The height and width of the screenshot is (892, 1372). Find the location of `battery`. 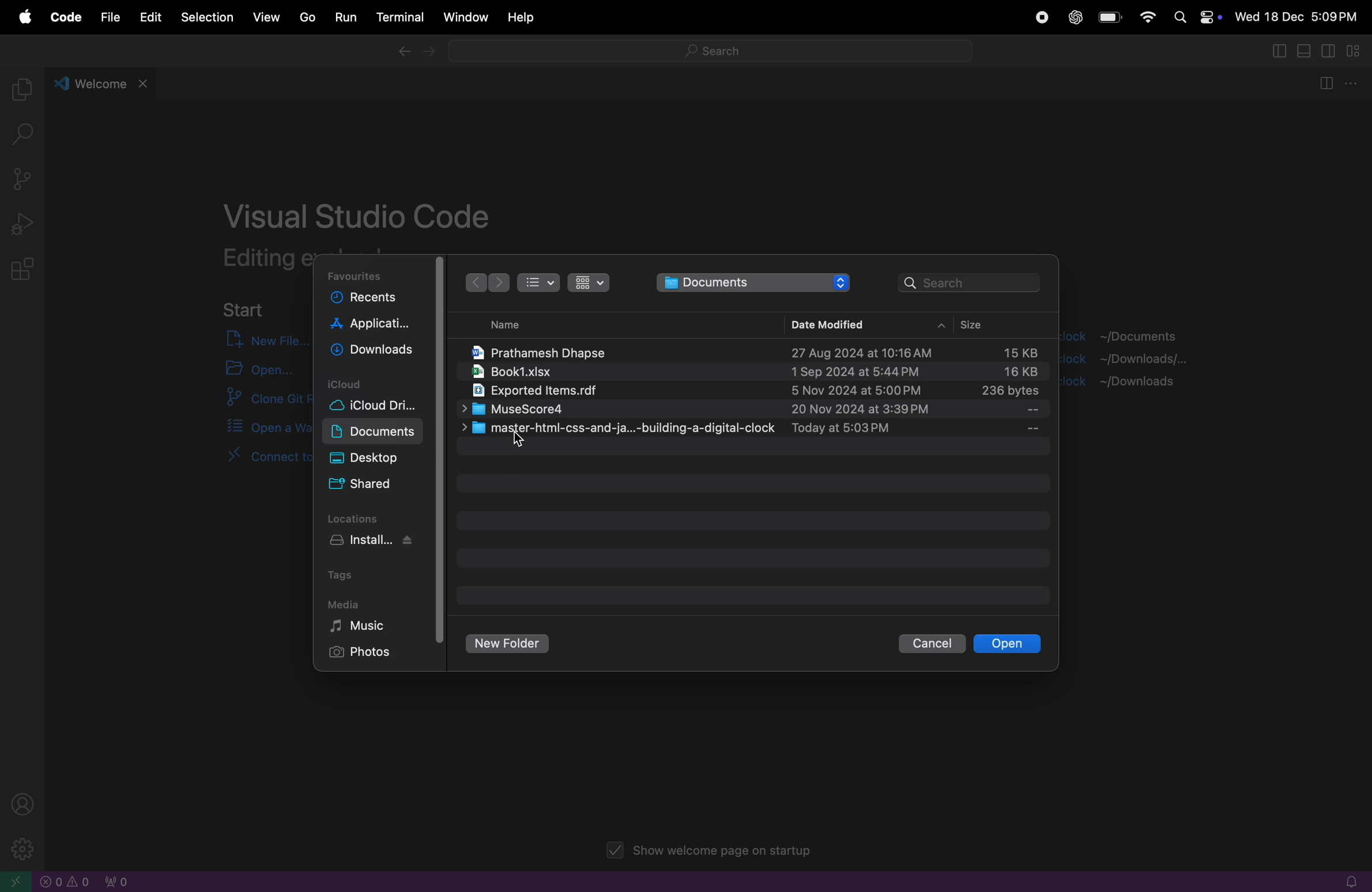

battery is located at coordinates (1110, 18).